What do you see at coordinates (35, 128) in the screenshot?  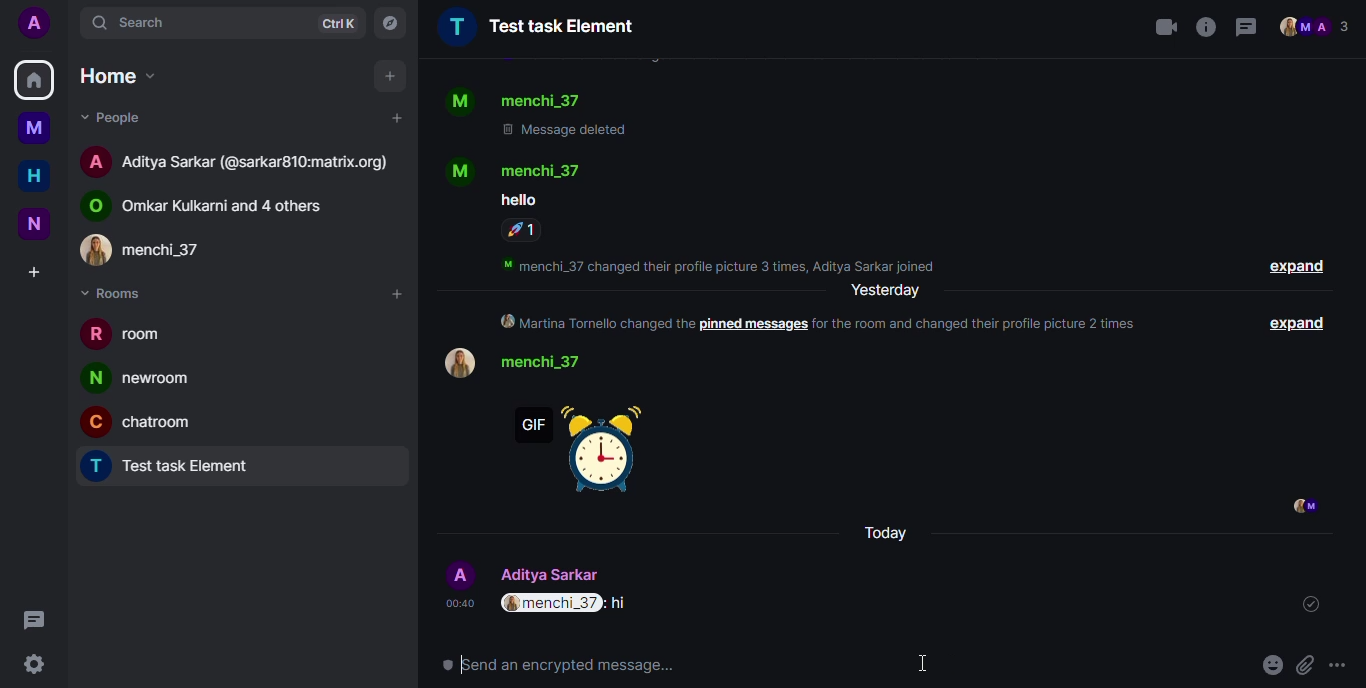 I see `myspace` at bounding box center [35, 128].